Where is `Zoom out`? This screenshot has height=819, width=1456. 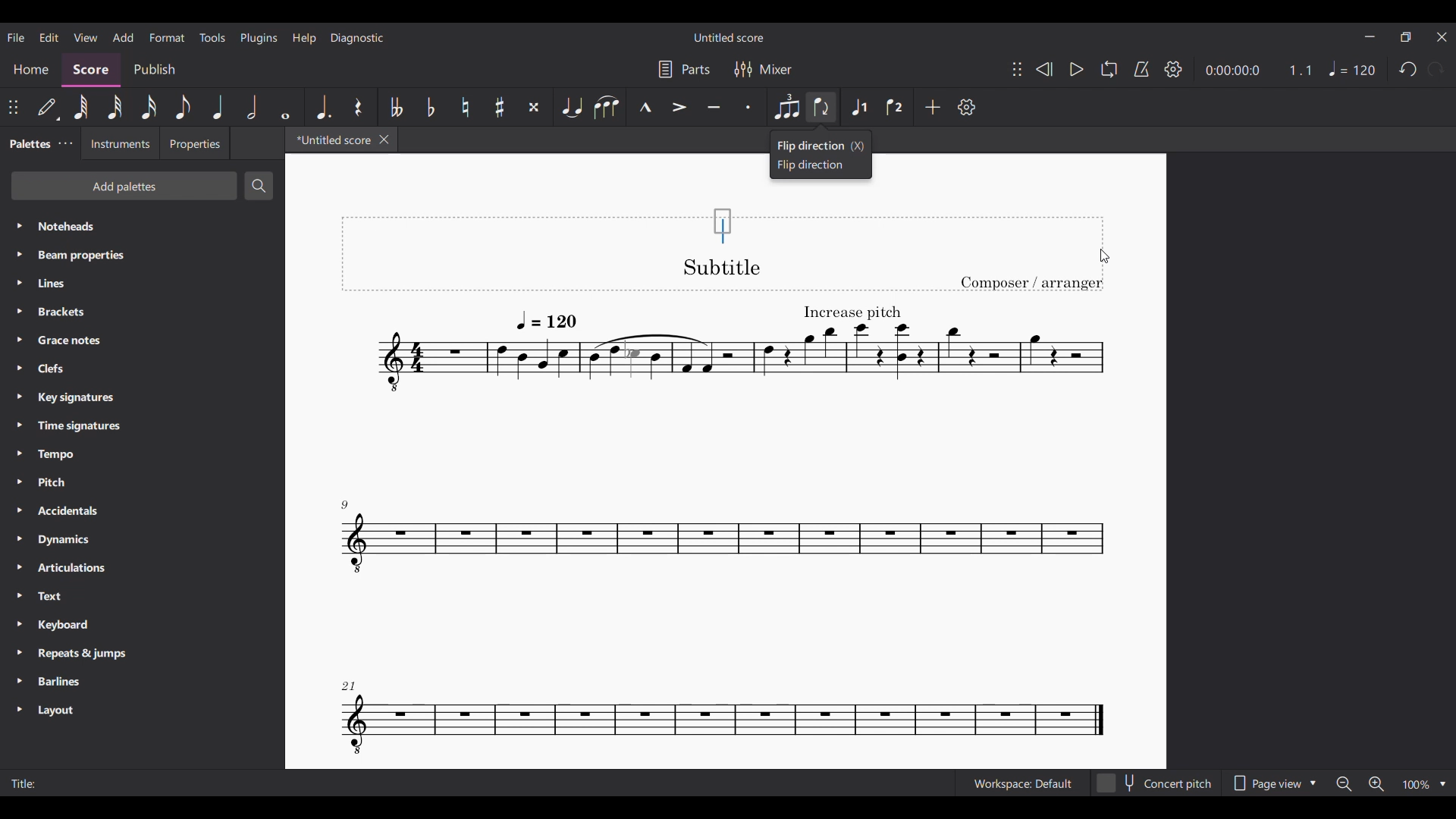
Zoom out is located at coordinates (1345, 783).